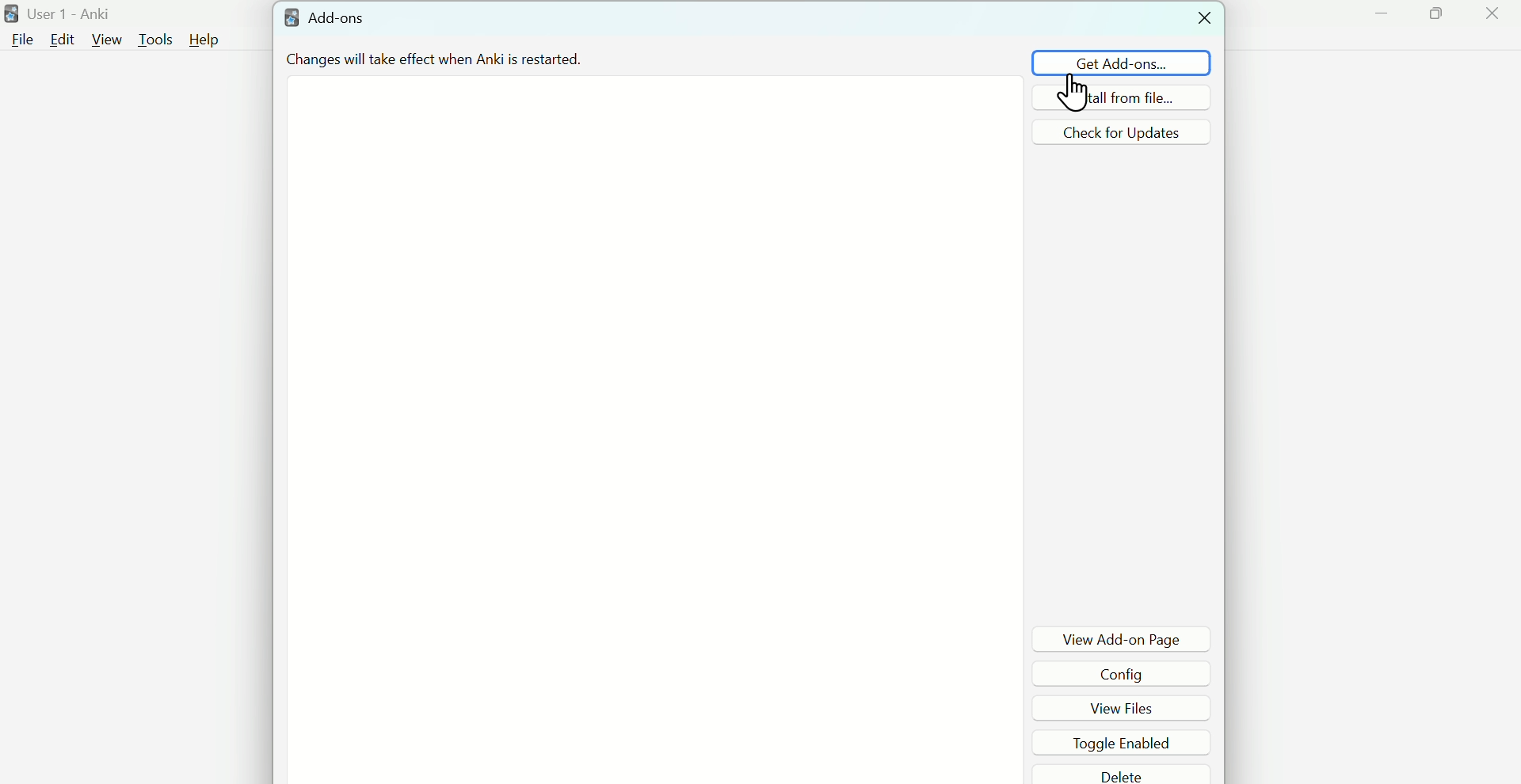 The image size is (1521, 784). I want to click on Changes will take effect when Anki is restarted, so click(507, 58).